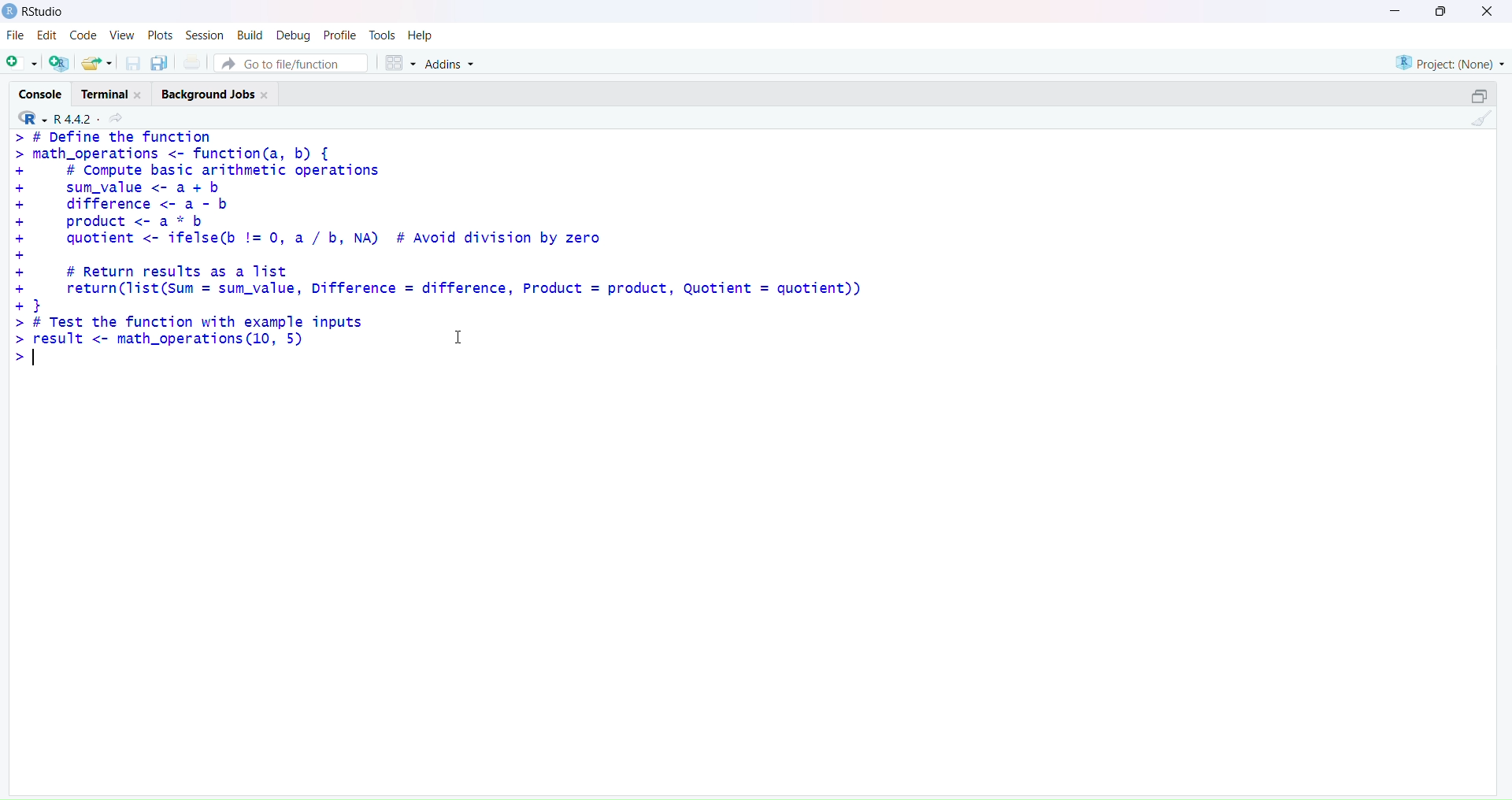  Describe the element at coordinates (1478, 122) in the screenshot. I see `Clear console (Ctrl +L)` at that location.